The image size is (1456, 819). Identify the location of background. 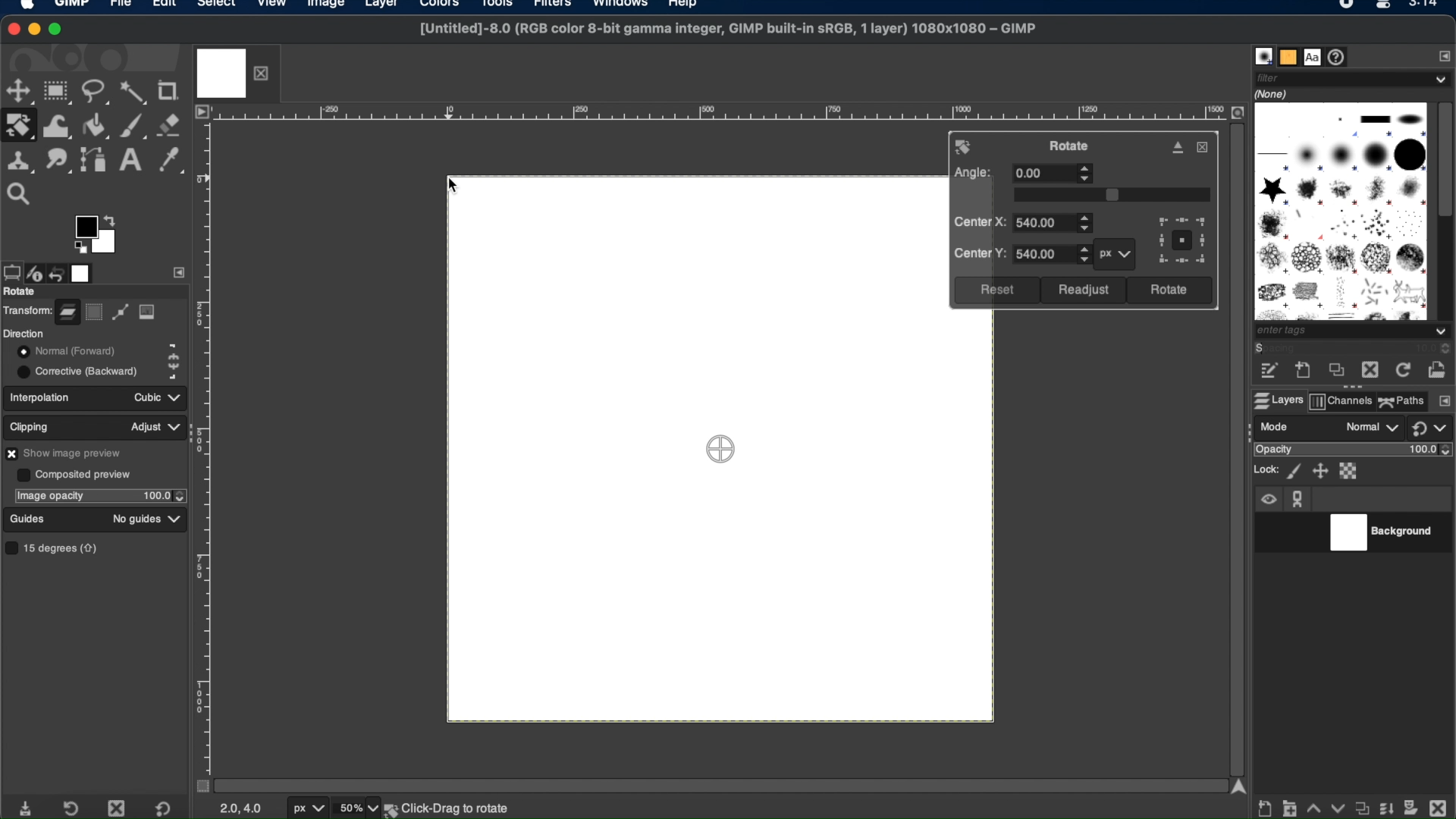
(1386, 533).